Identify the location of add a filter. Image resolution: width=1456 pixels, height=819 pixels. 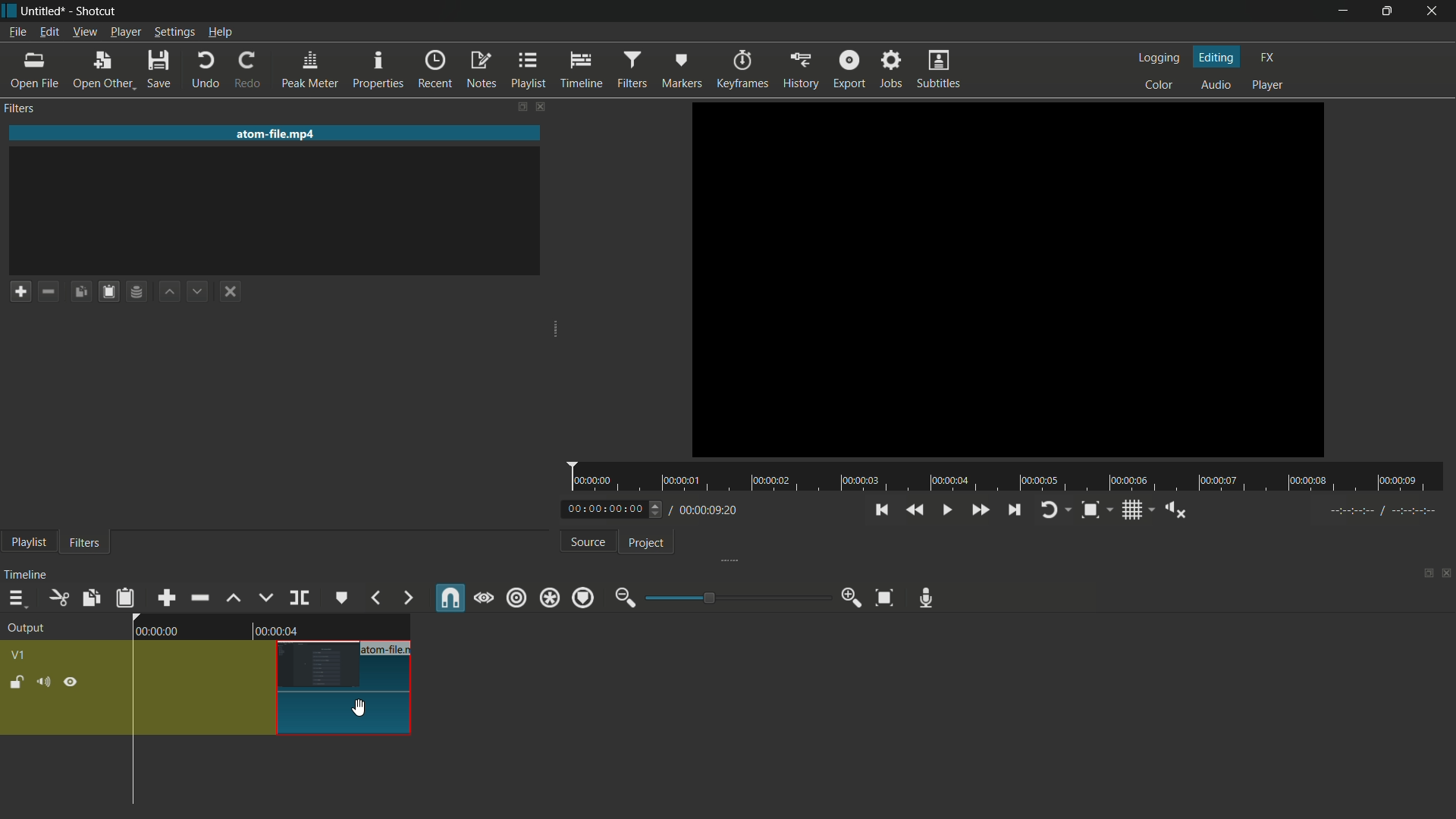
(20, 290).